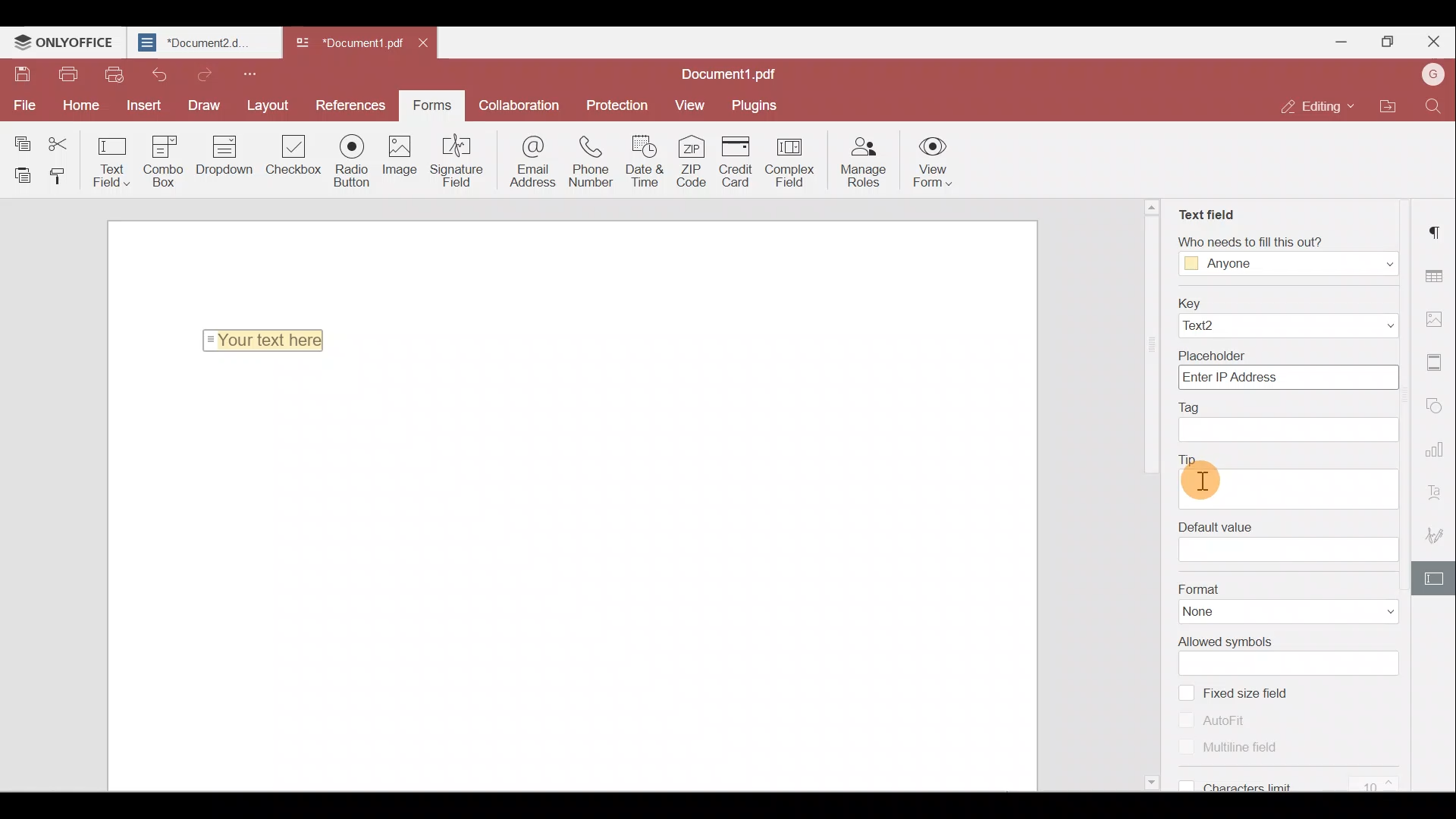 This screenshot has height=819, width=1456. Describe the element at coordinates (1232, 718) in the screenshot. I see `Auto fit` at that location.